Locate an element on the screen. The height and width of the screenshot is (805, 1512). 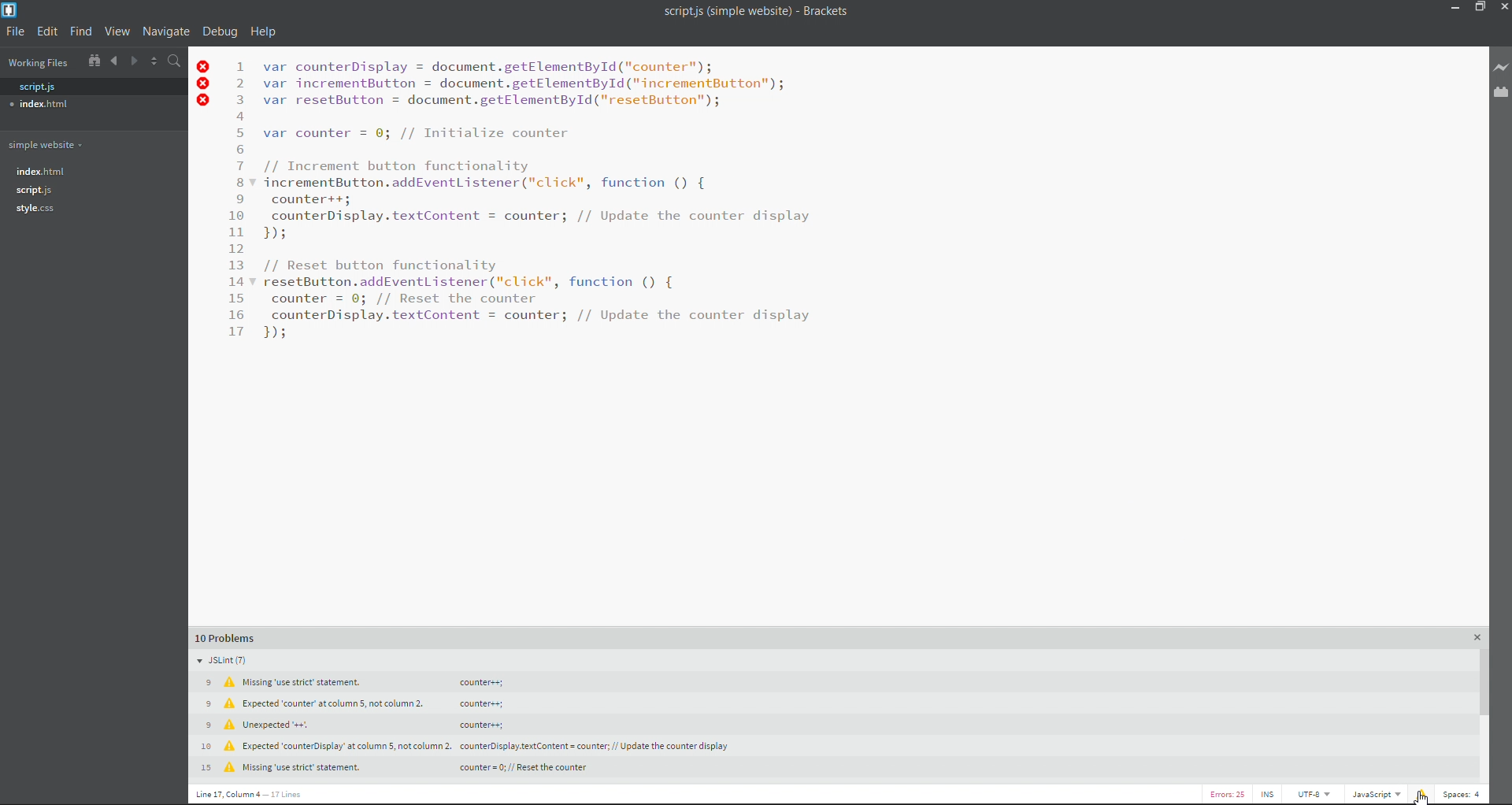
close window is located at coordinates (1473, 639).